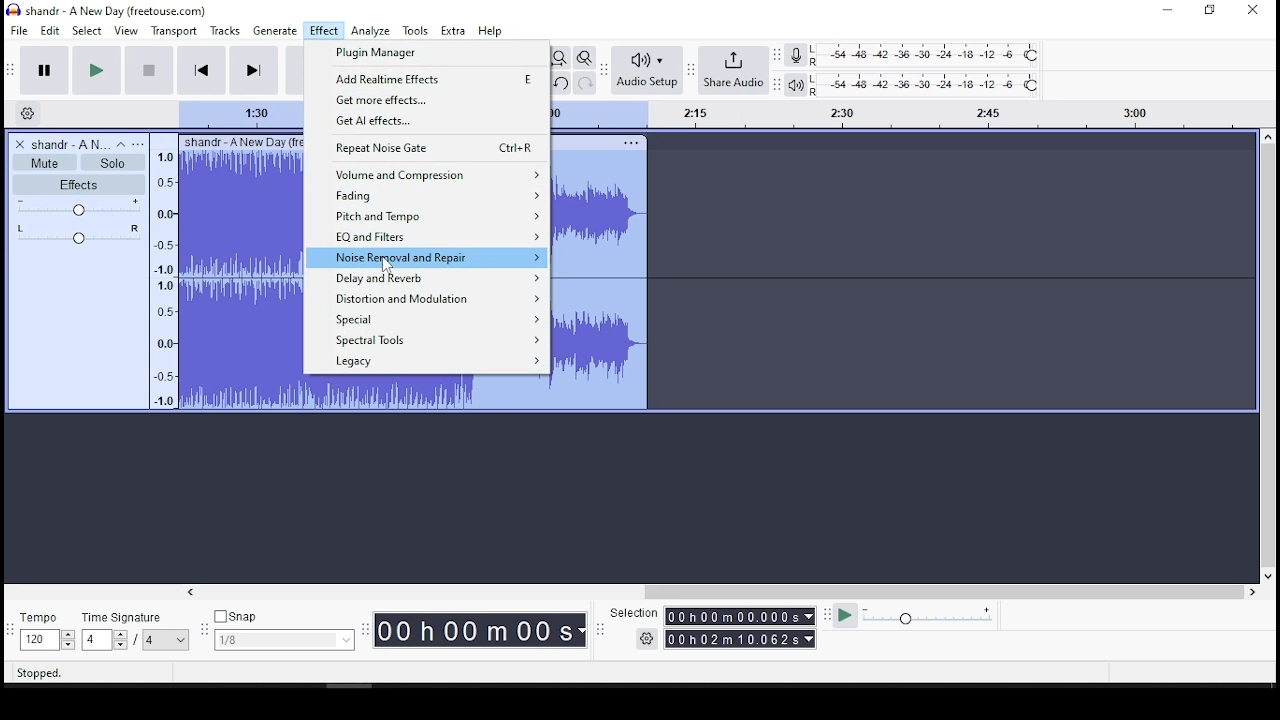 The width and height of the screenshot is (1280, 720). What do you see at coordinates (44, 69) in the screenshot?
I see `` at bounding box center [44, 69].